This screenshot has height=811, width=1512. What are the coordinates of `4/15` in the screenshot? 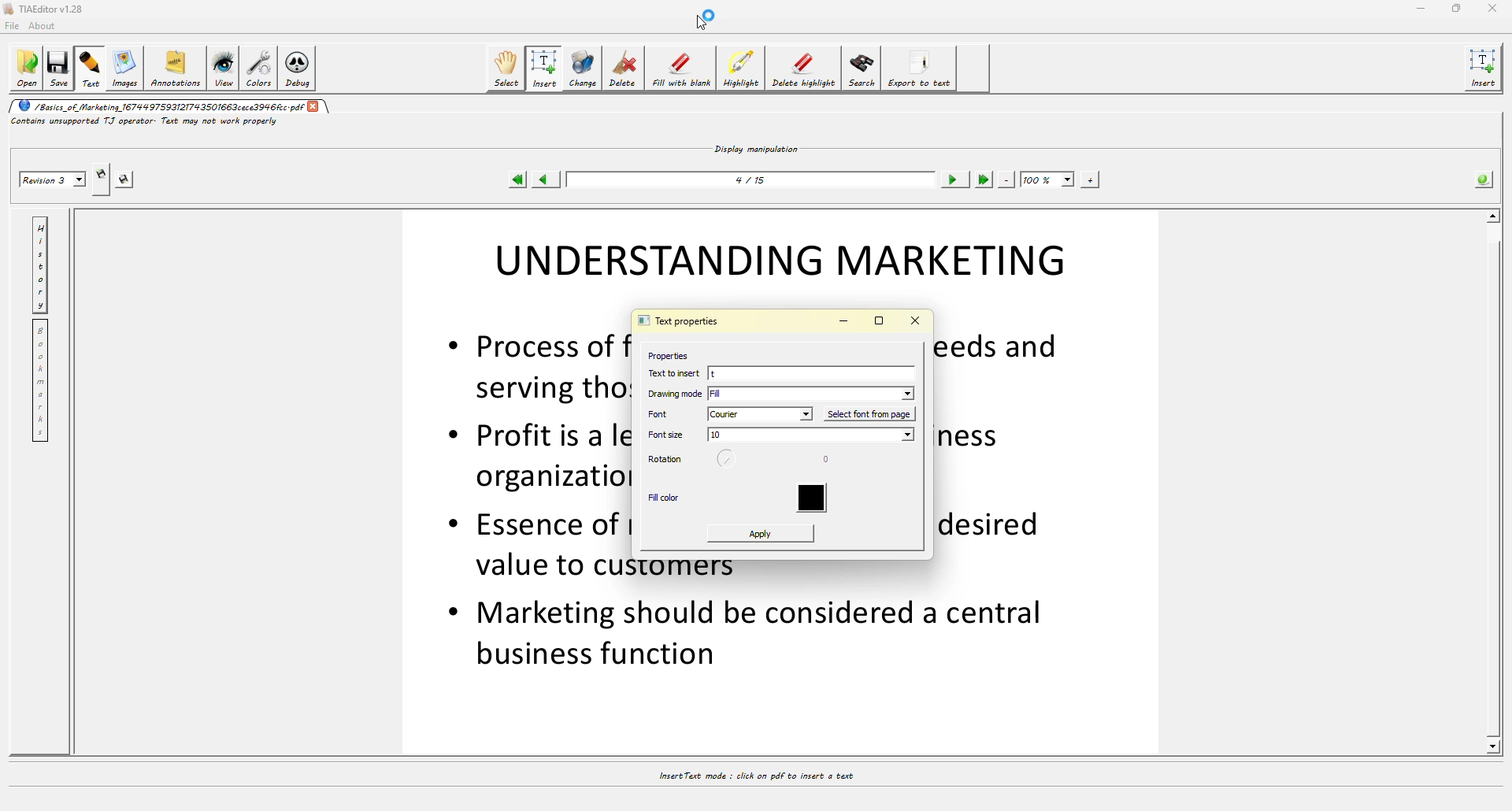 It's located at (754, 179).